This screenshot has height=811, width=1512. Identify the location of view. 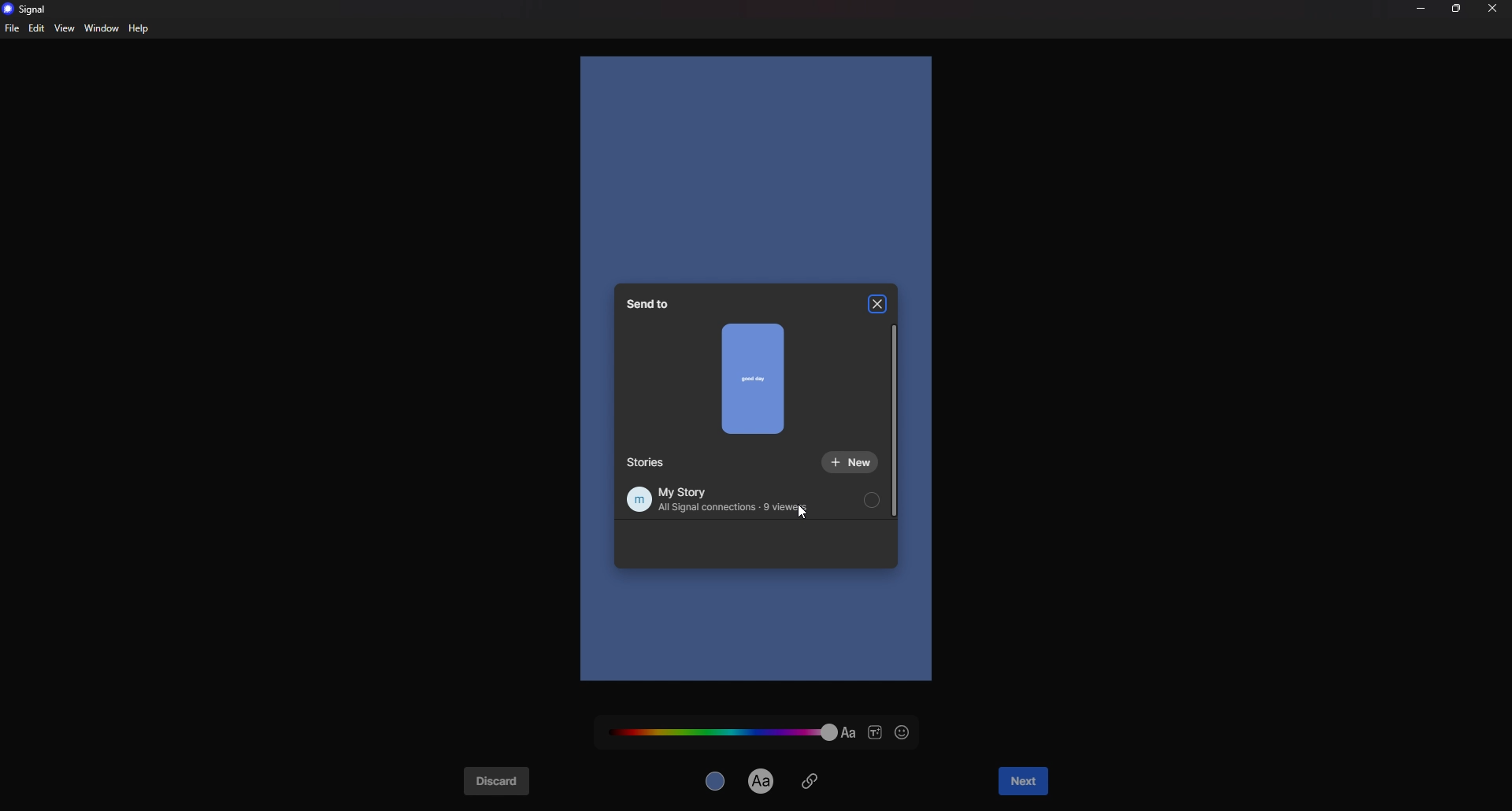
(64, 28).